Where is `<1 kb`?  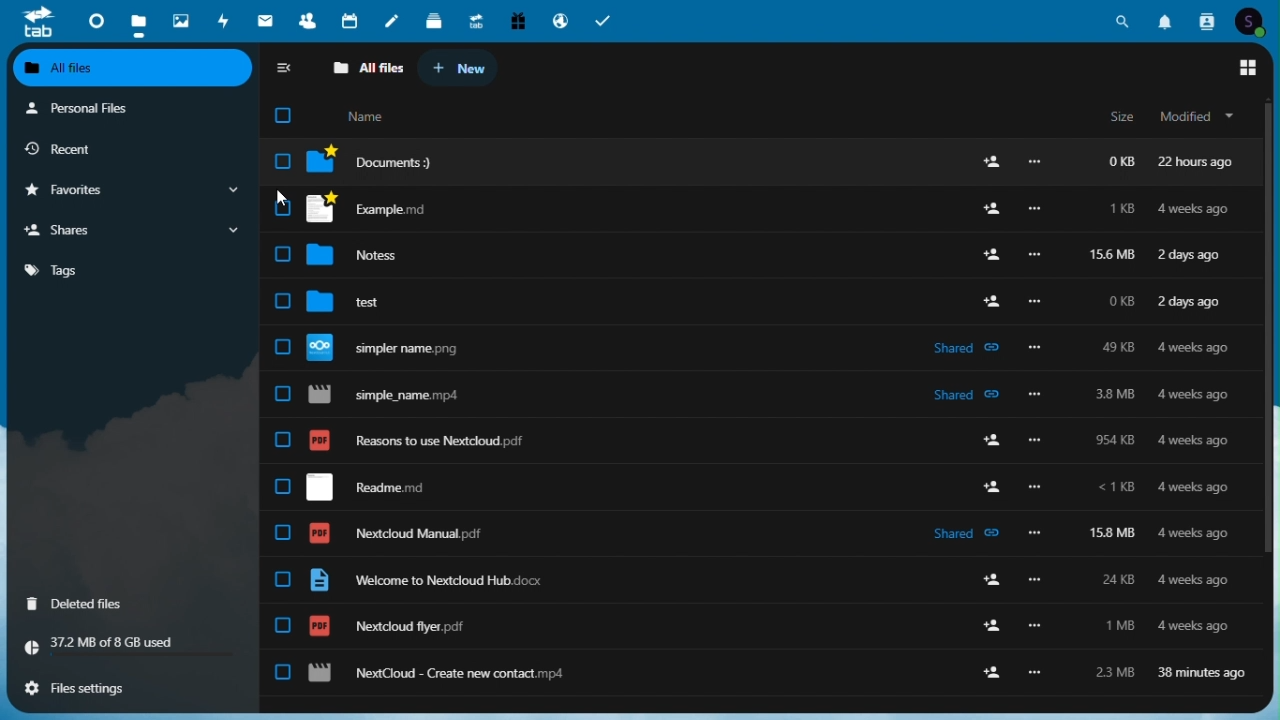 <1 kb is located at coordinates (1115, 487).